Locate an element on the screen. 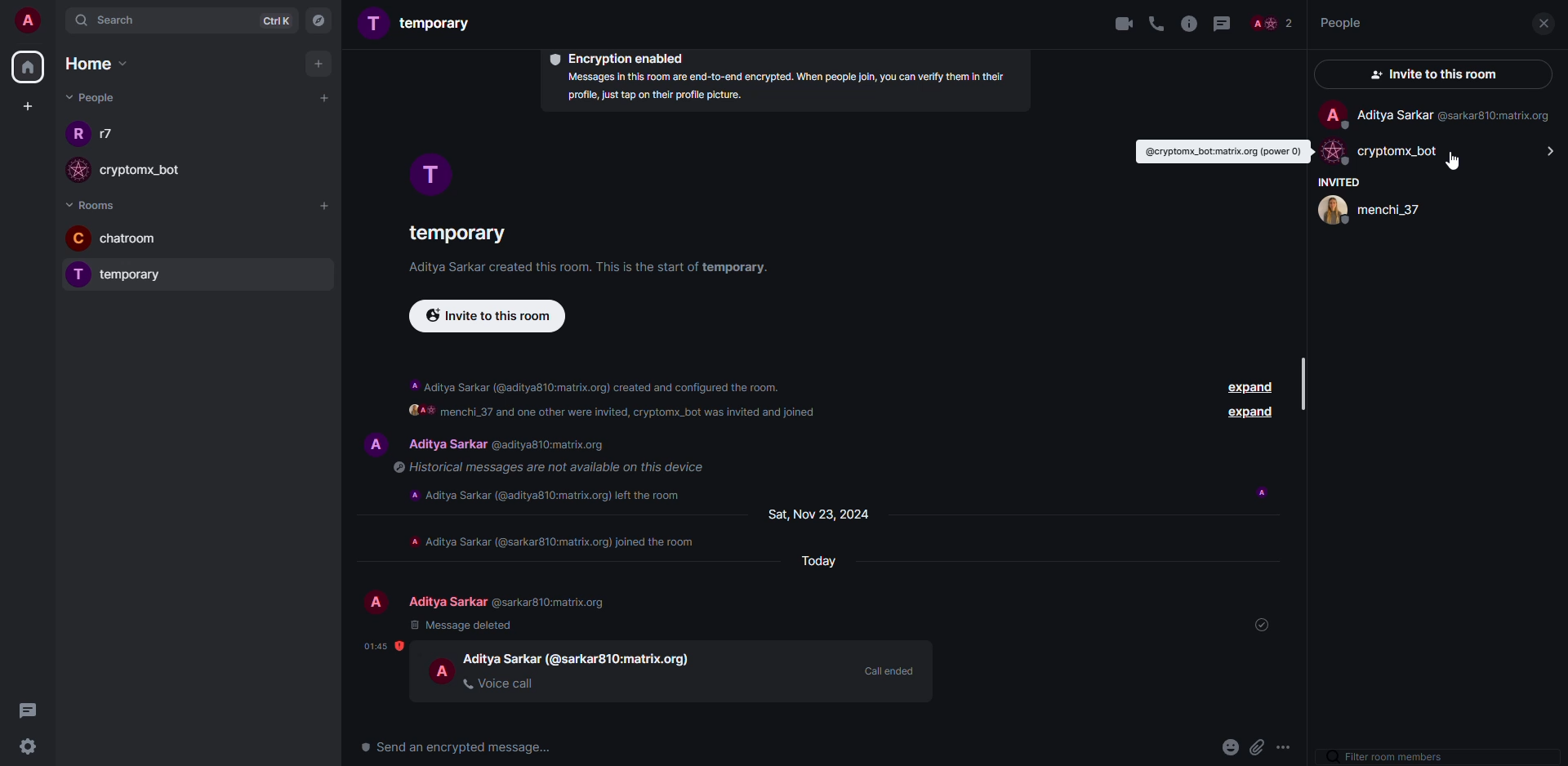 This screenshot has height=766, width=1568. info is located at coordinates (555, 541).